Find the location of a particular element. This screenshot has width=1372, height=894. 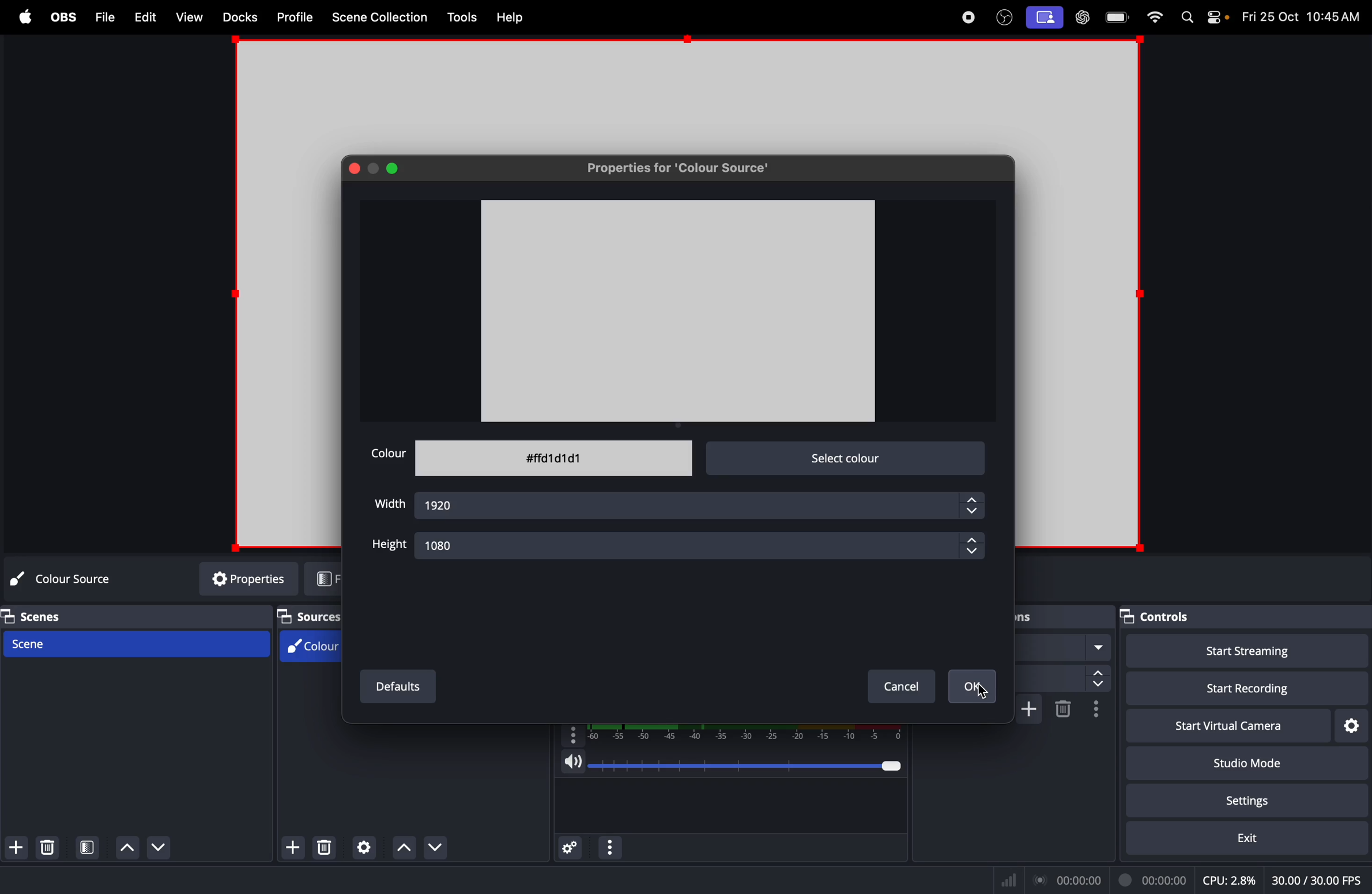

Profile is located at coordinates (295, 18).